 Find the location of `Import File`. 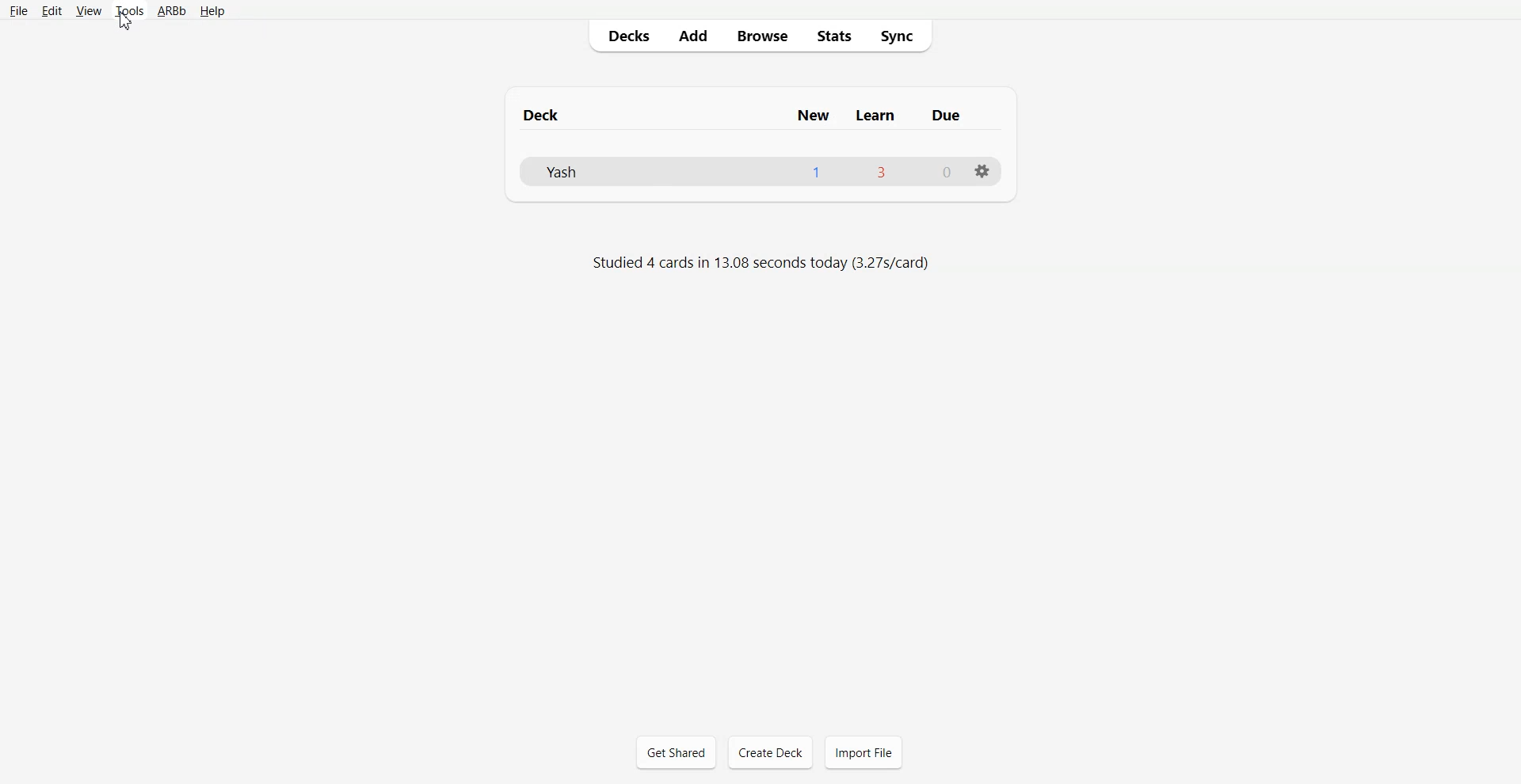

Import File is located at coordinates (863, 752).